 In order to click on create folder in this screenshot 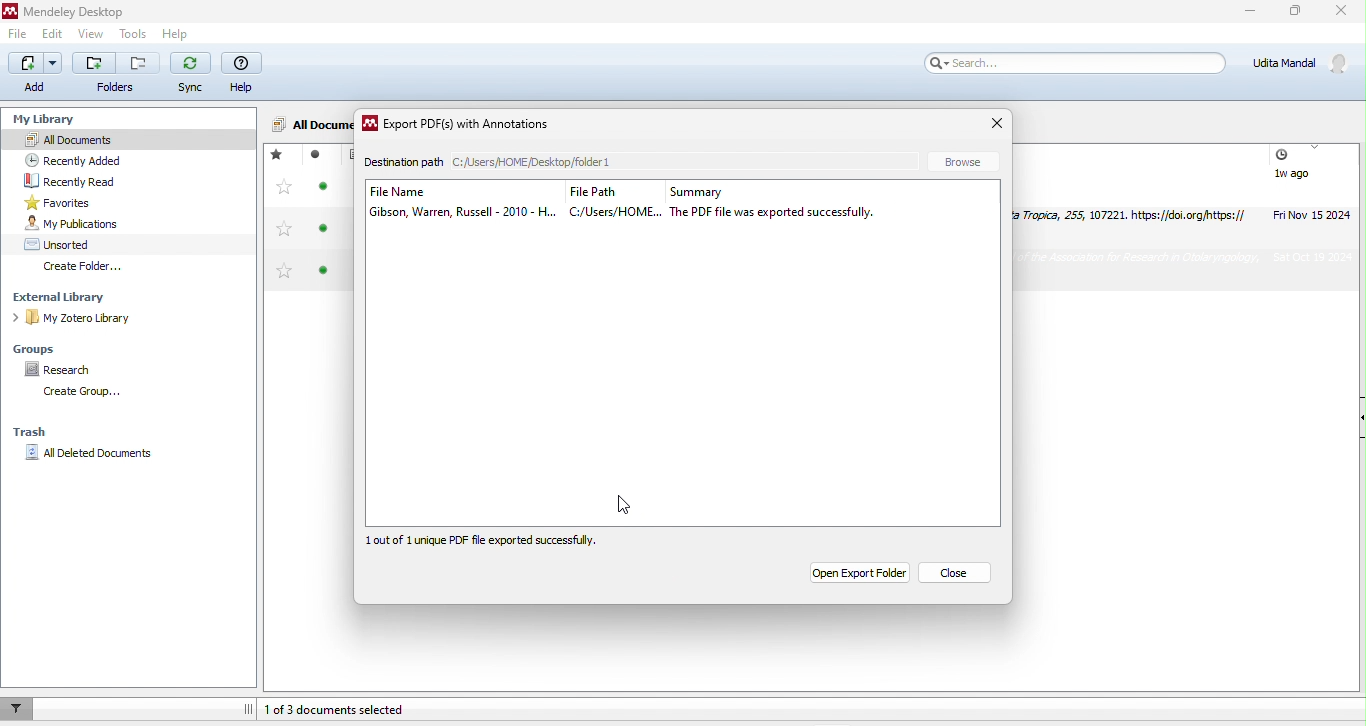, I will do `click(88, 267)`.